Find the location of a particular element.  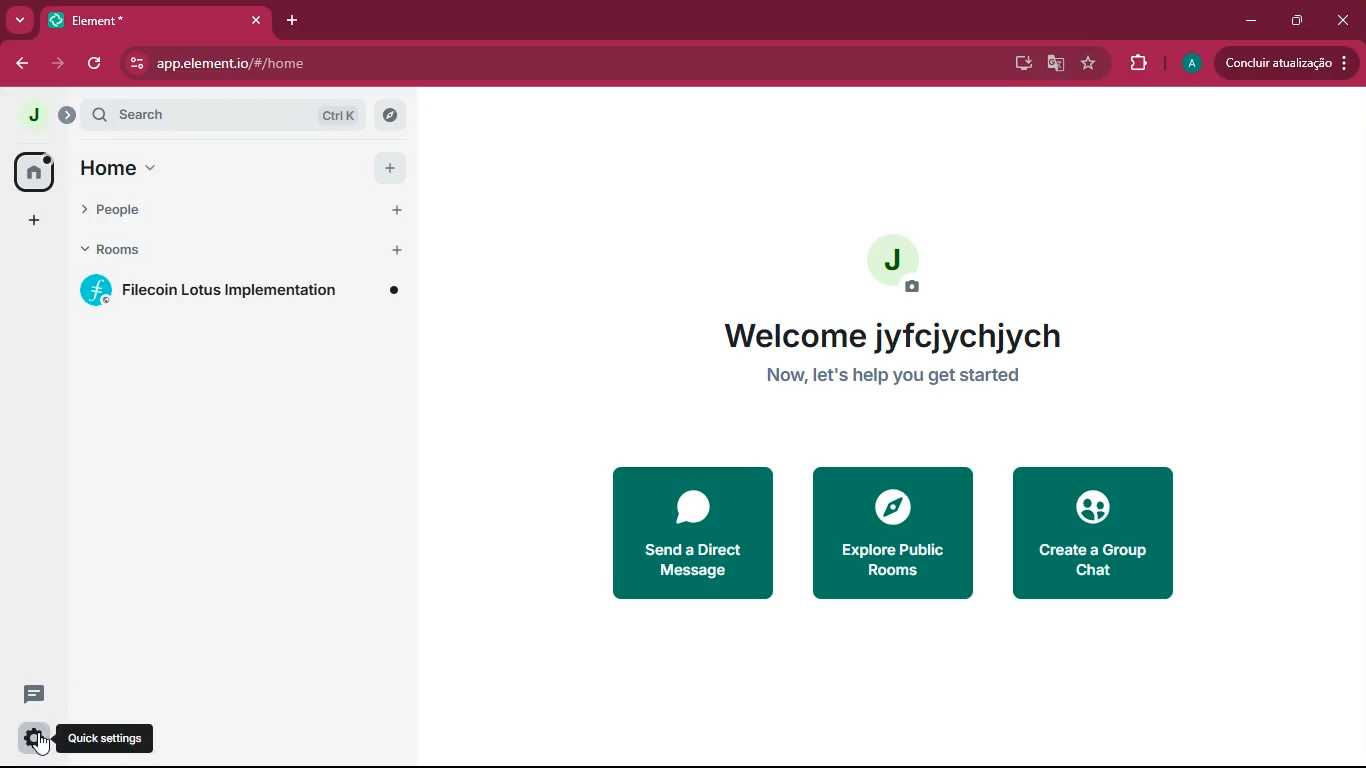

profile picture is located at coordinates (893, 264).